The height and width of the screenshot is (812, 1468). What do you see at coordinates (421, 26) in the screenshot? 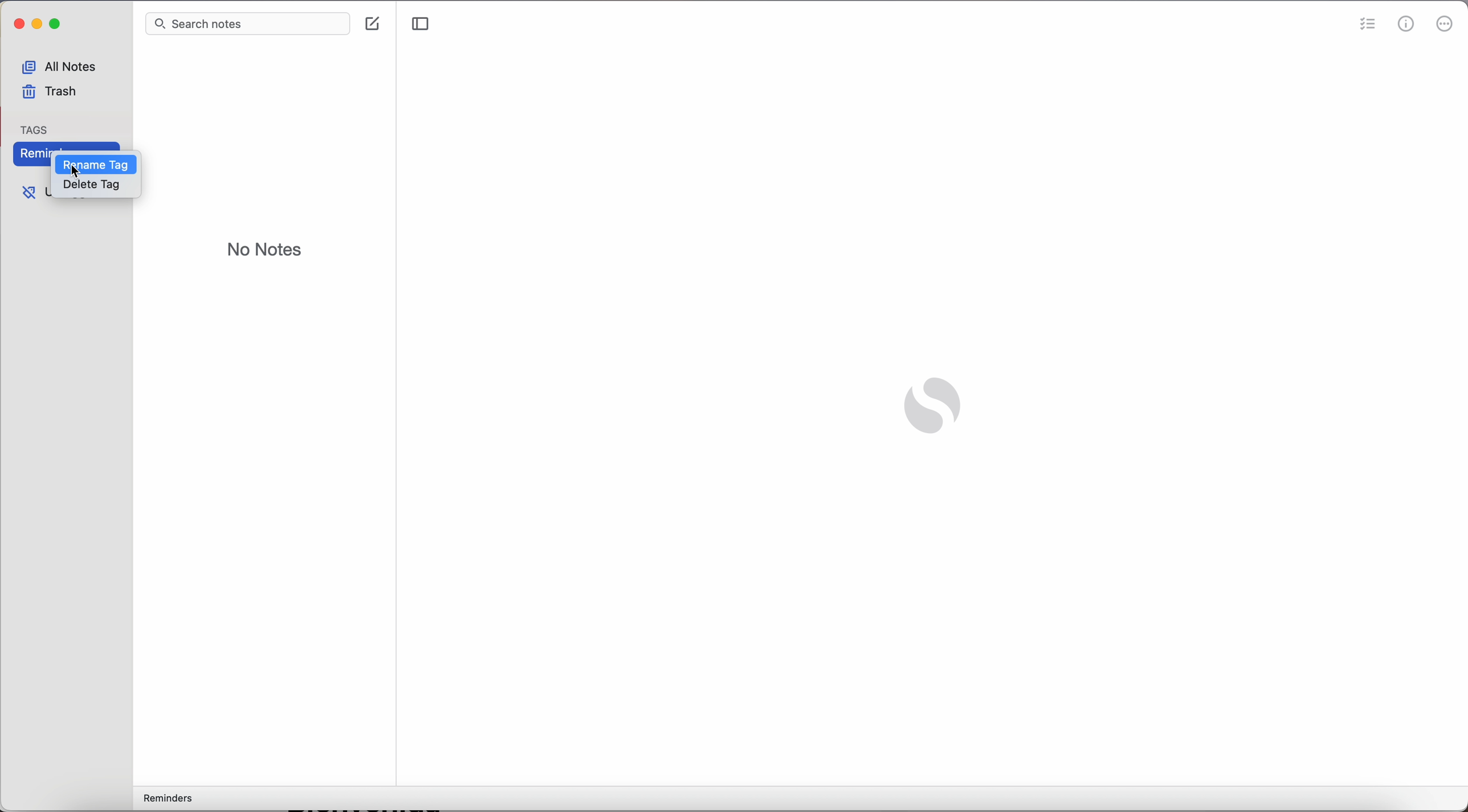
I see `toggle sidebar` at bounding box center [421, 26].